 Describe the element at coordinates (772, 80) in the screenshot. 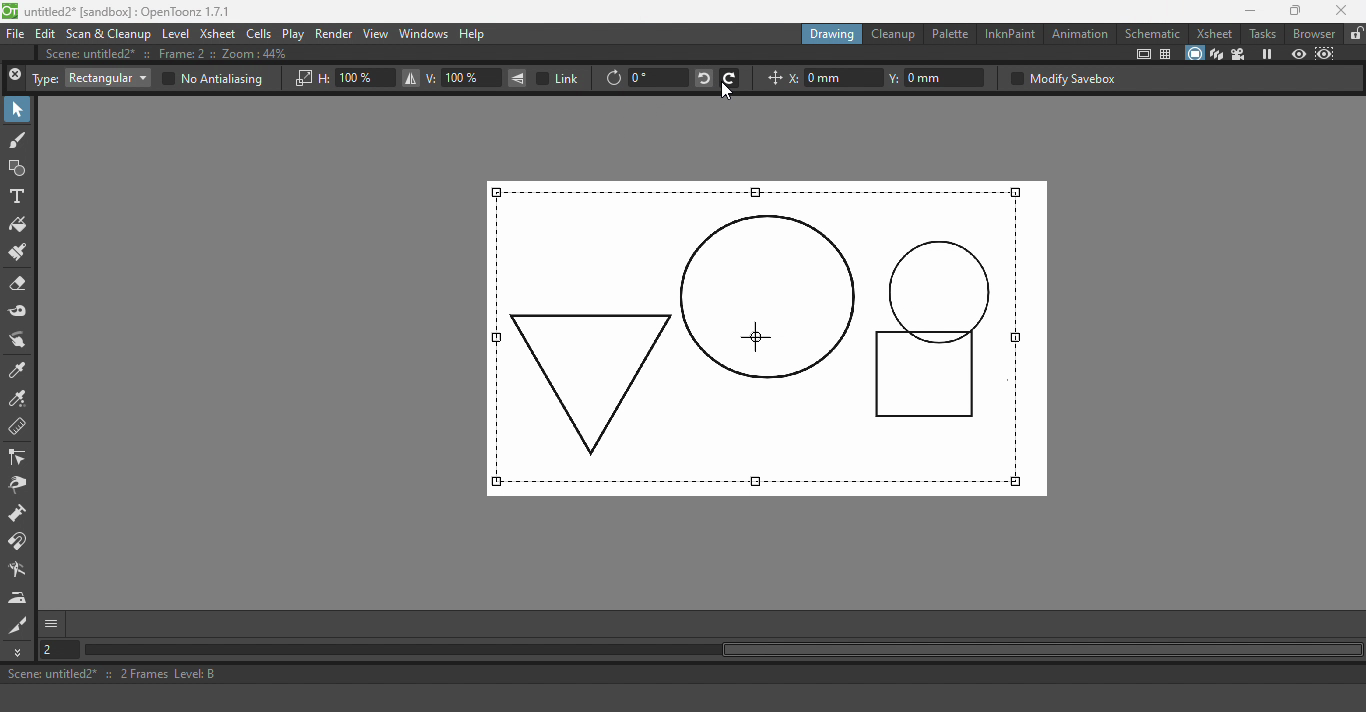

I see `Position` at that location.